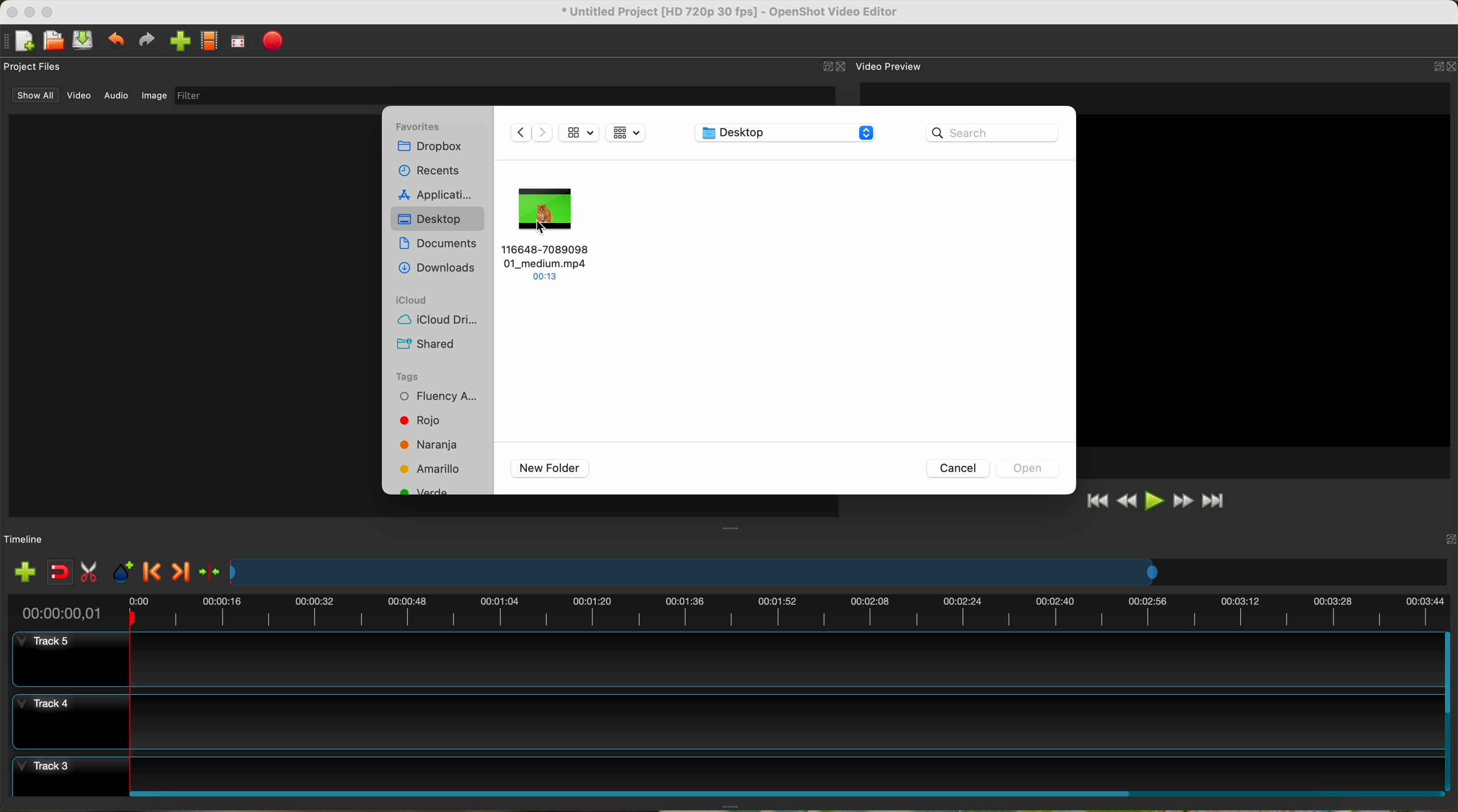 Image resolution: width=1458 pixels, height=812 pixels. I want to click on show all, so click(33, 95).